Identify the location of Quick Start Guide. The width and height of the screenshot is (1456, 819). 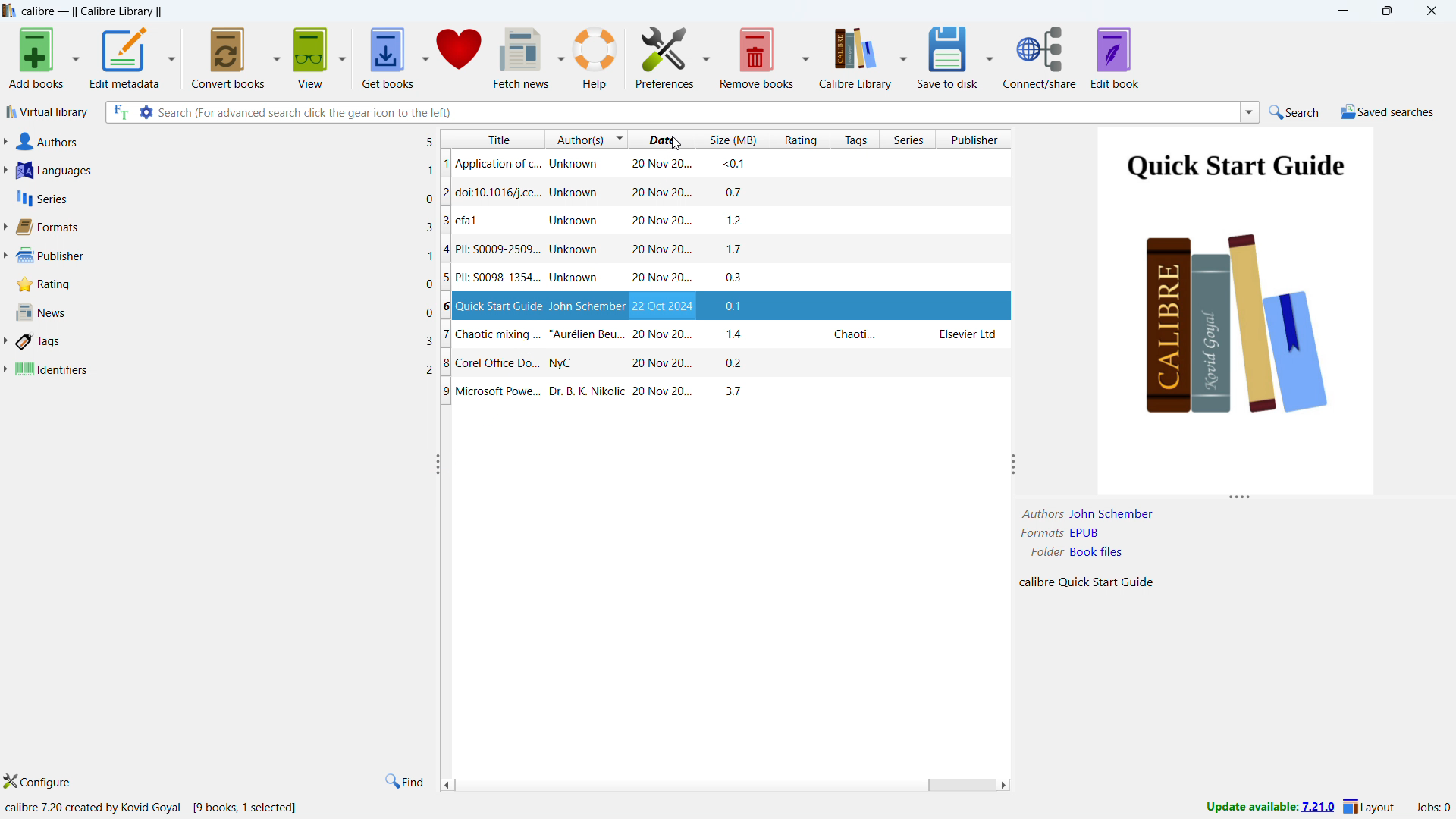
(493, 306).